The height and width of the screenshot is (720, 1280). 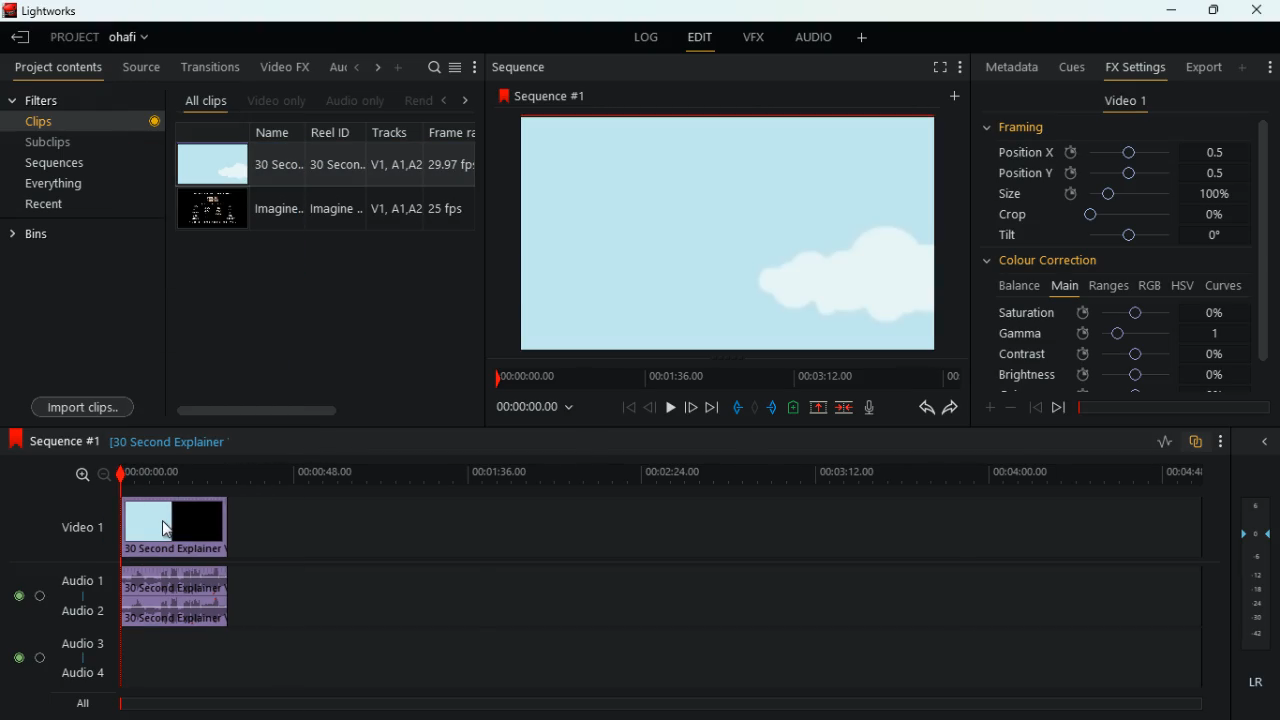 What do you see at coordinates (1210, 11) in the screenshot?
I see `maximize` at bounding box center [1210, 11].